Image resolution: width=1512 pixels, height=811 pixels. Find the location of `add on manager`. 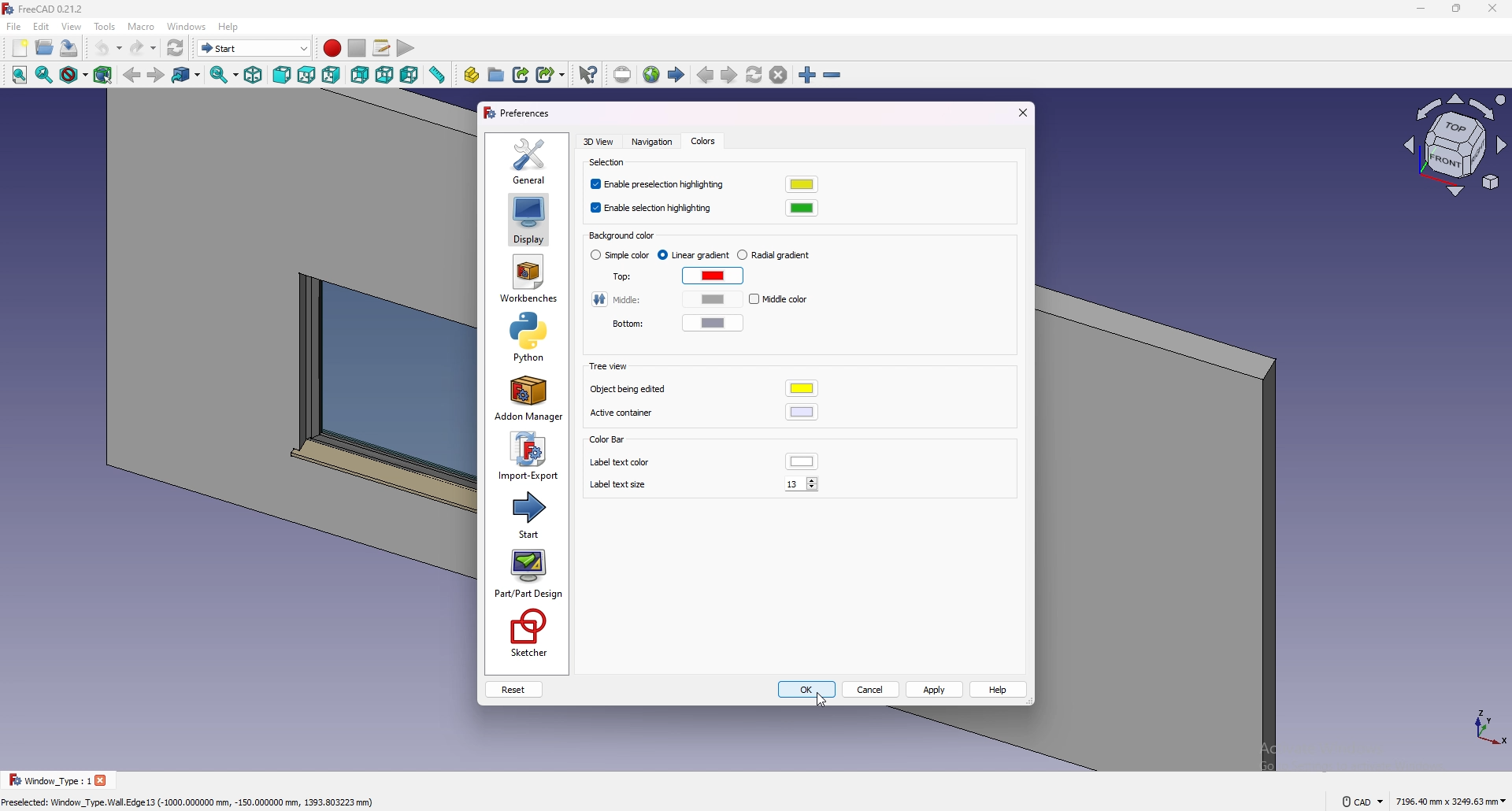

add on manager is located at coordinates (528, 398).